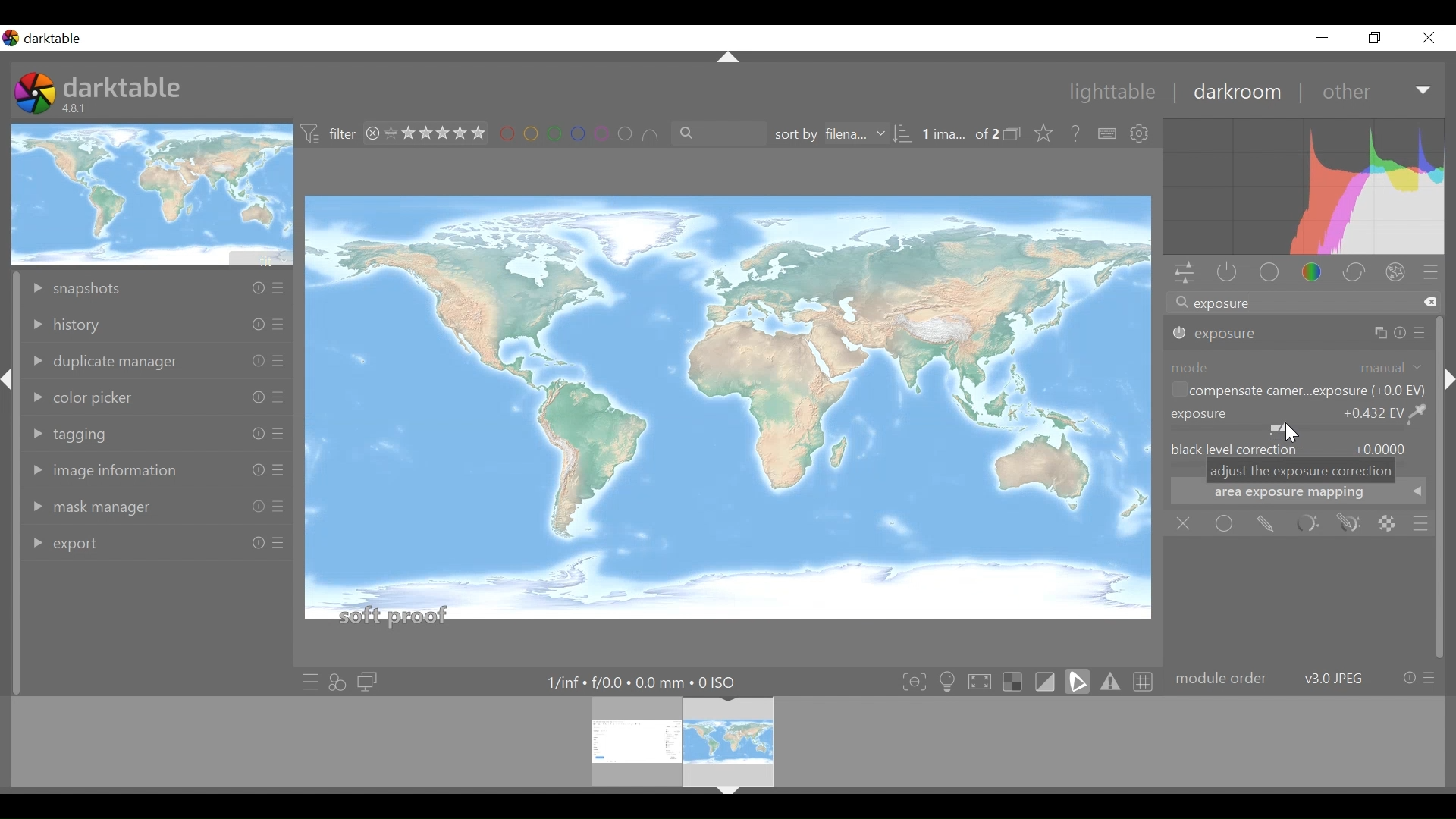  Describe the element at coordinates (711, 134) in the screenshot. I see `filter by text` at that location.